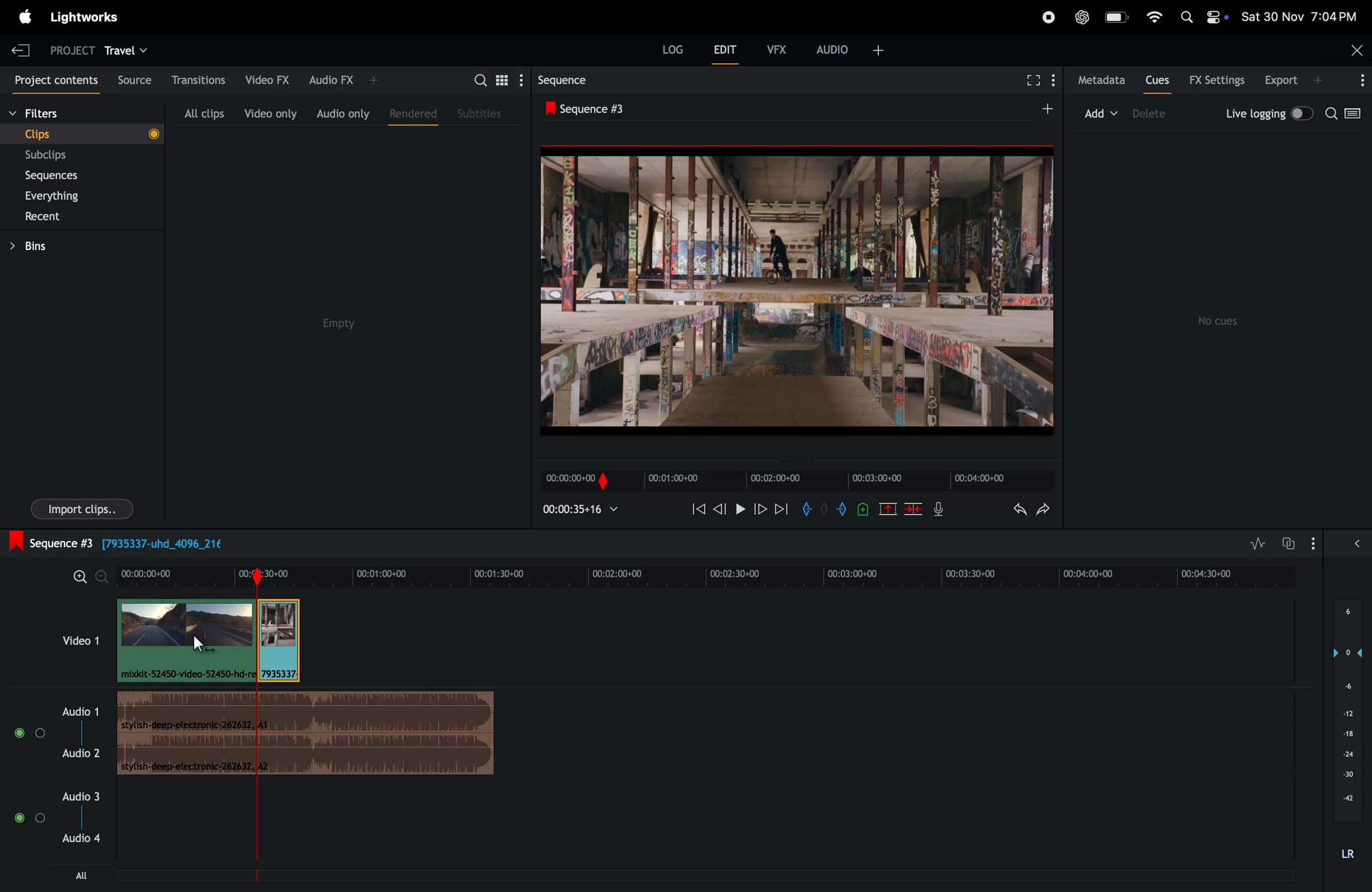 This screenshot has height=892, width=1372. I want to click on -24 (layers), so click(1344, 754).